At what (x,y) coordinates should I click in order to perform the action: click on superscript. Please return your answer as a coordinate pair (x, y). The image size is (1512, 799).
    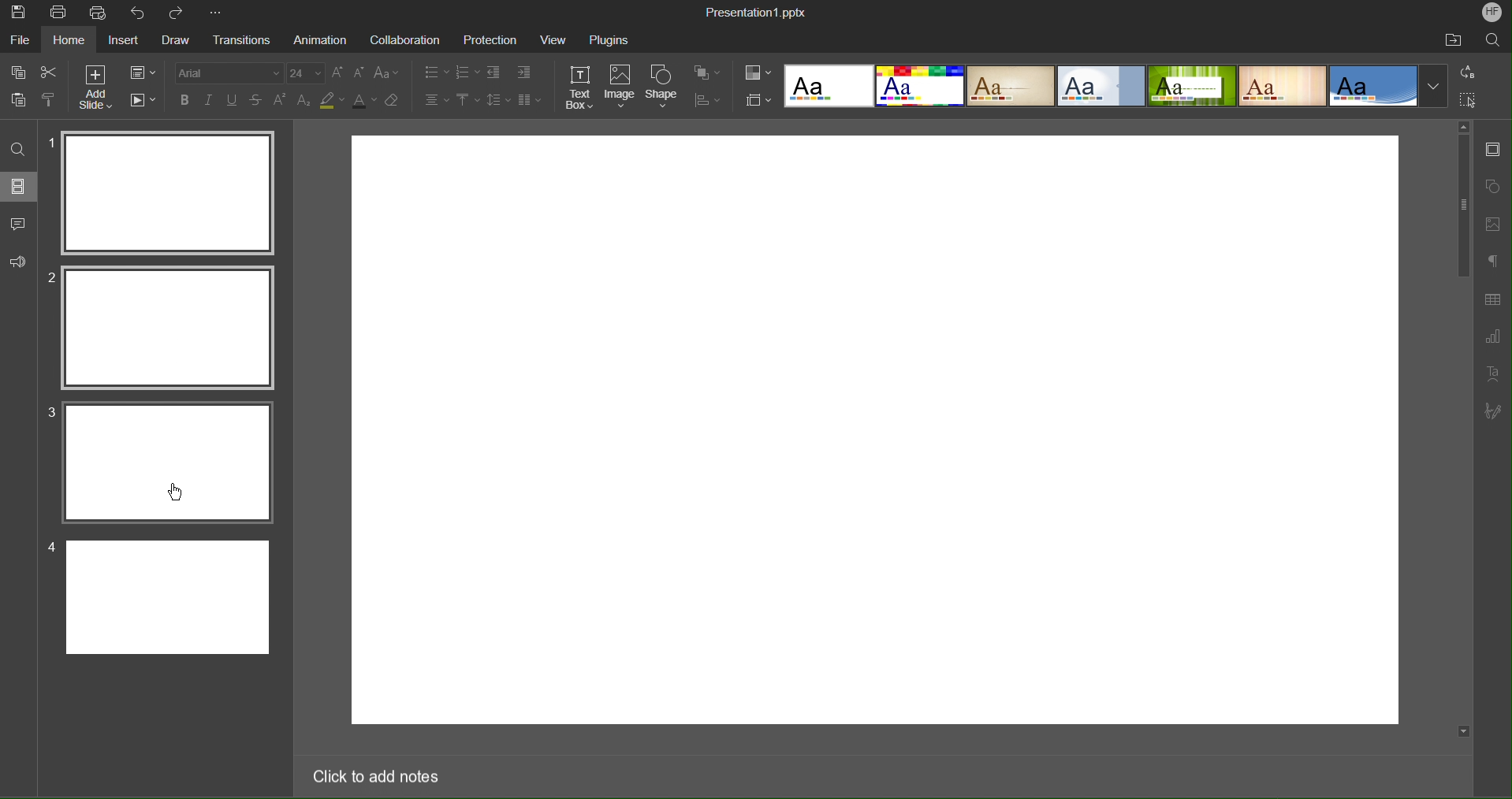
    Looking at the image, I should click on (281, 101).